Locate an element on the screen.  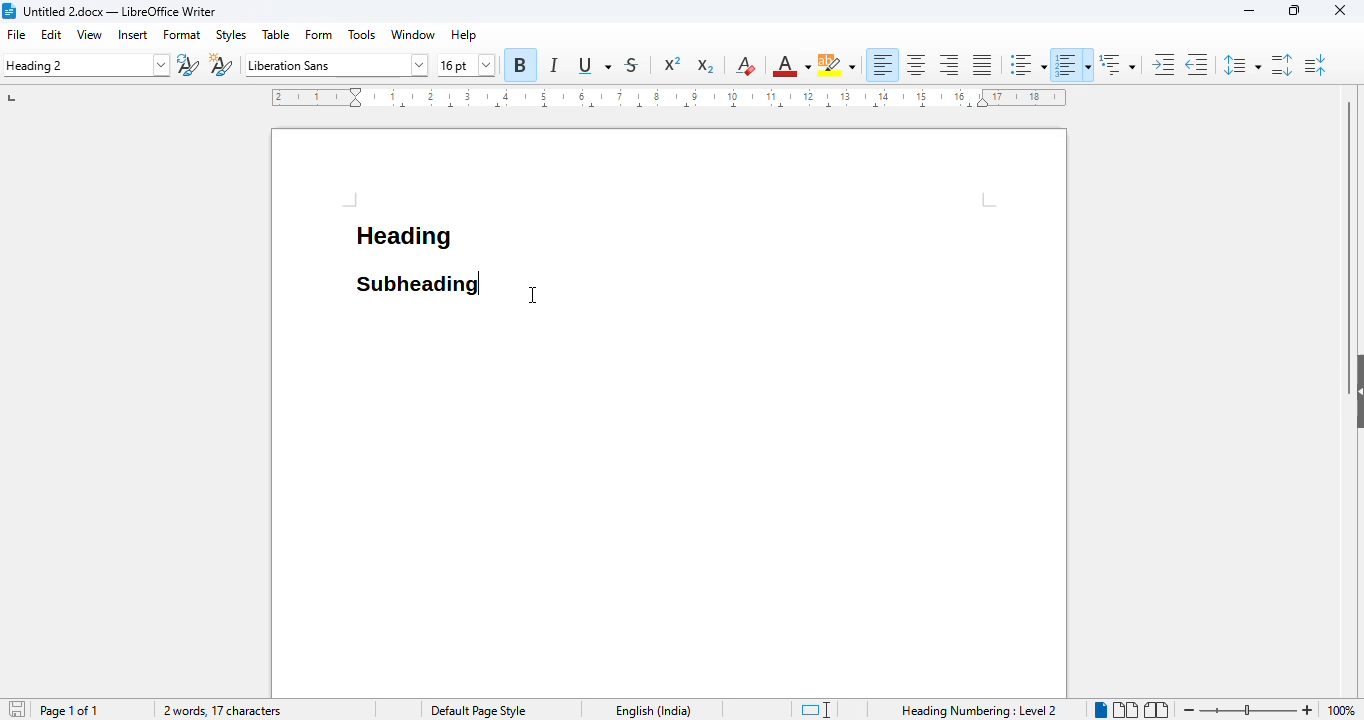
font color is located at coordinates (791, 65).